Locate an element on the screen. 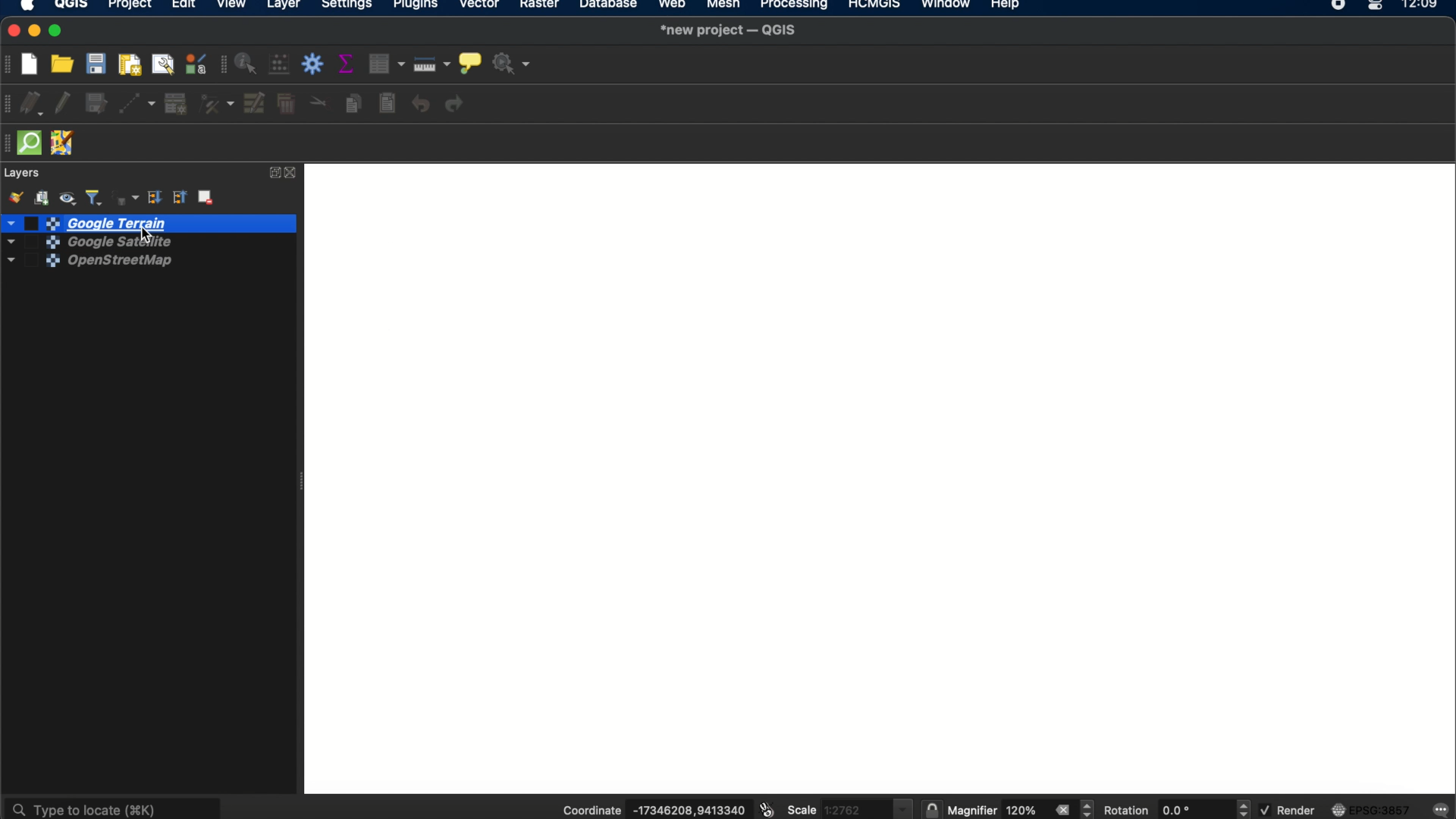 The image size is (1456, 819). open layer styling panel is located at coordinates (14, 197).